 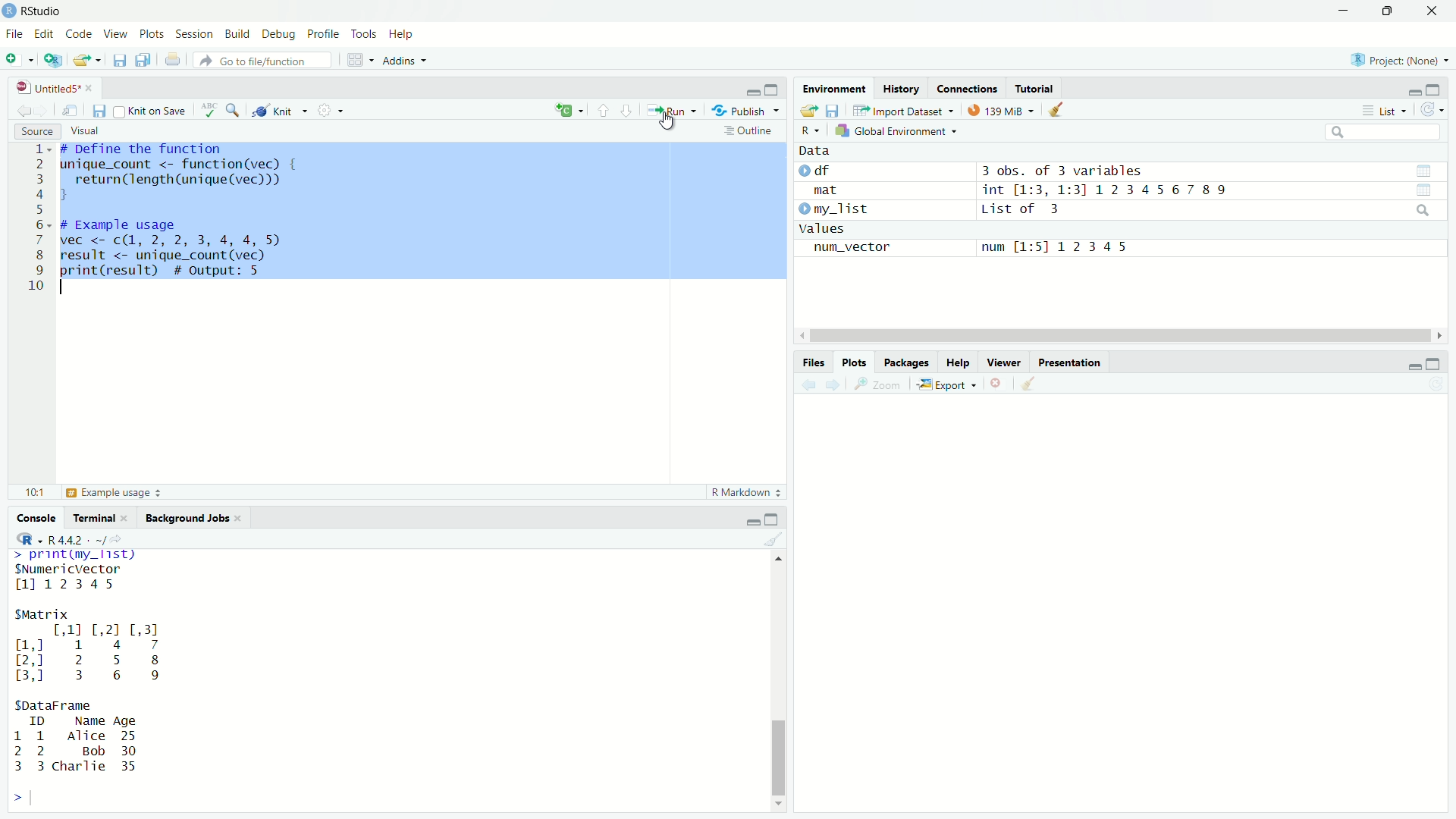 What do you see at coordinates (404, 35) in the screenshot?
I see `Help` at bounding box center [404, 35].